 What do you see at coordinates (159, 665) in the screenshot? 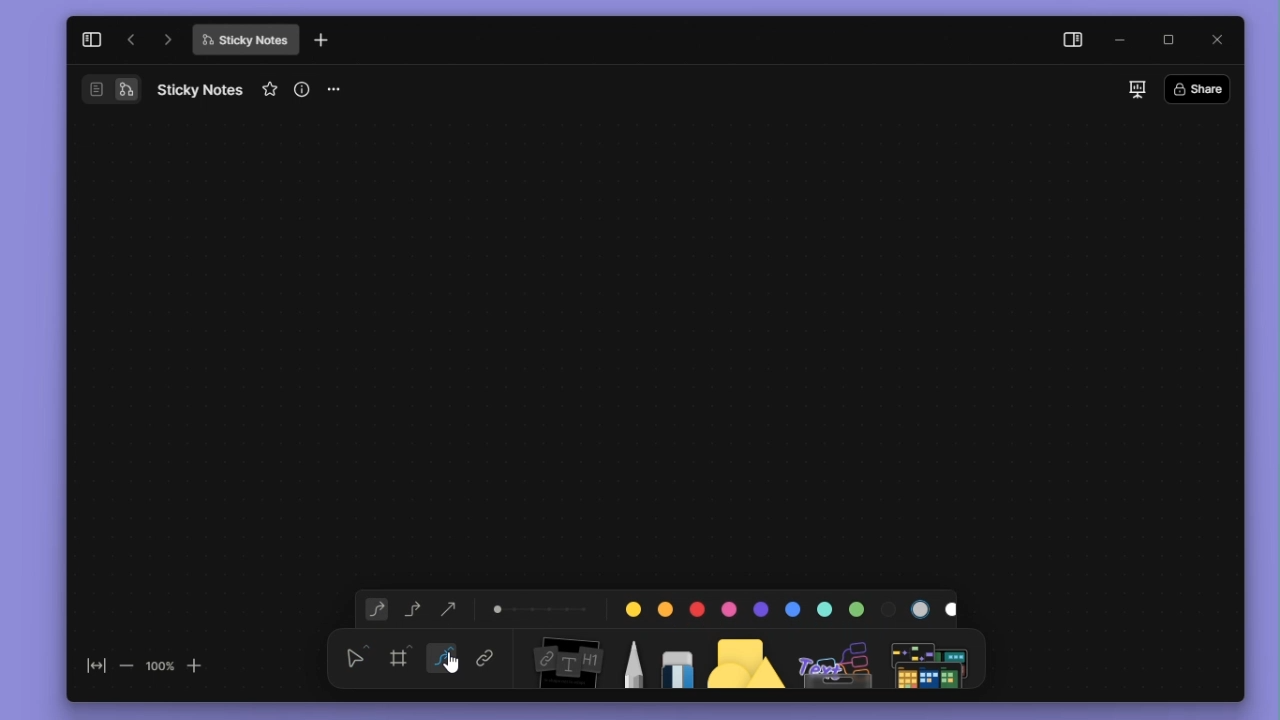
I see `100%` at bounding box center [159, 665].